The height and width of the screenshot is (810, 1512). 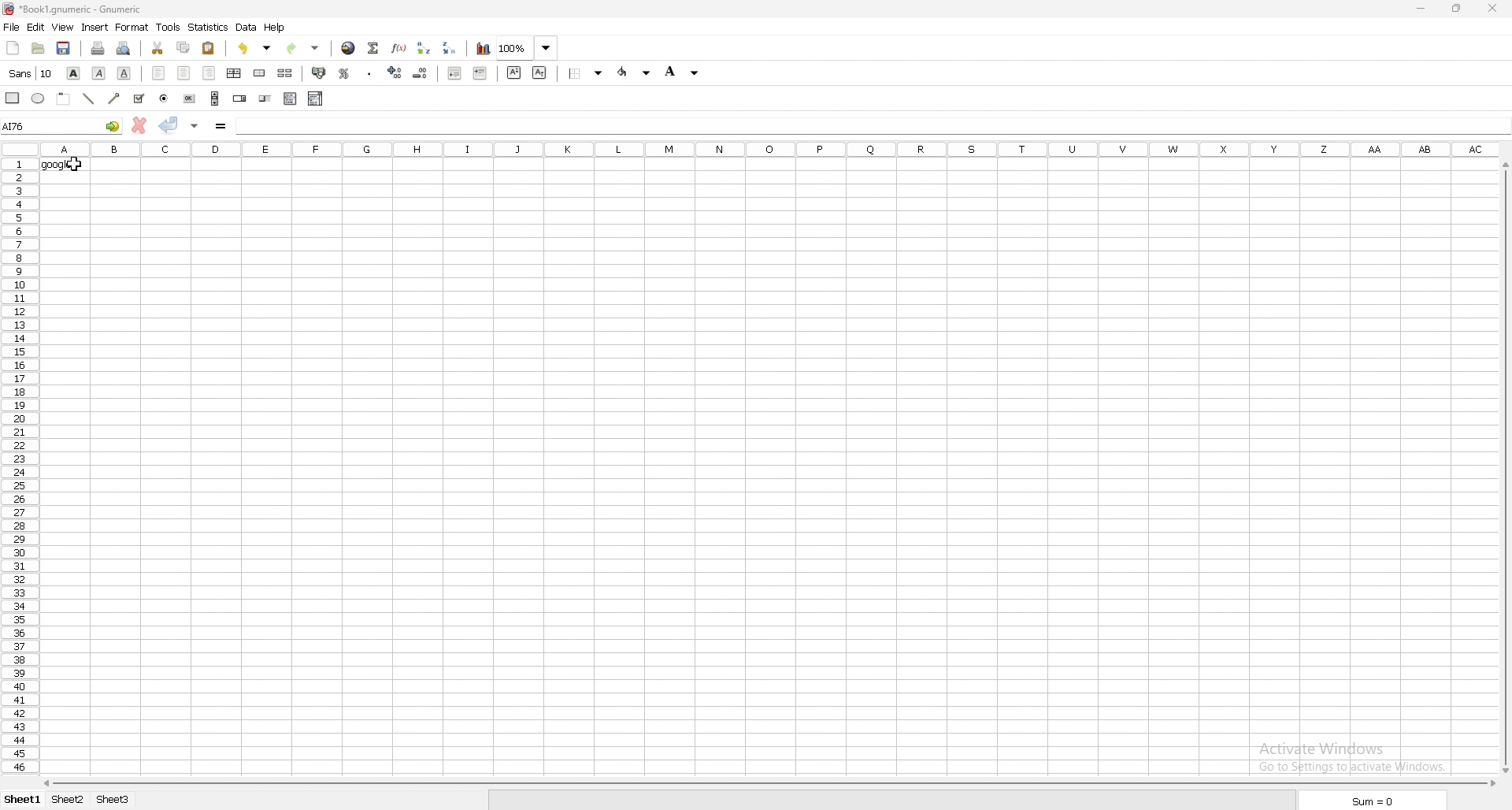 I want to click on foreground, so click(x=636, y=72).